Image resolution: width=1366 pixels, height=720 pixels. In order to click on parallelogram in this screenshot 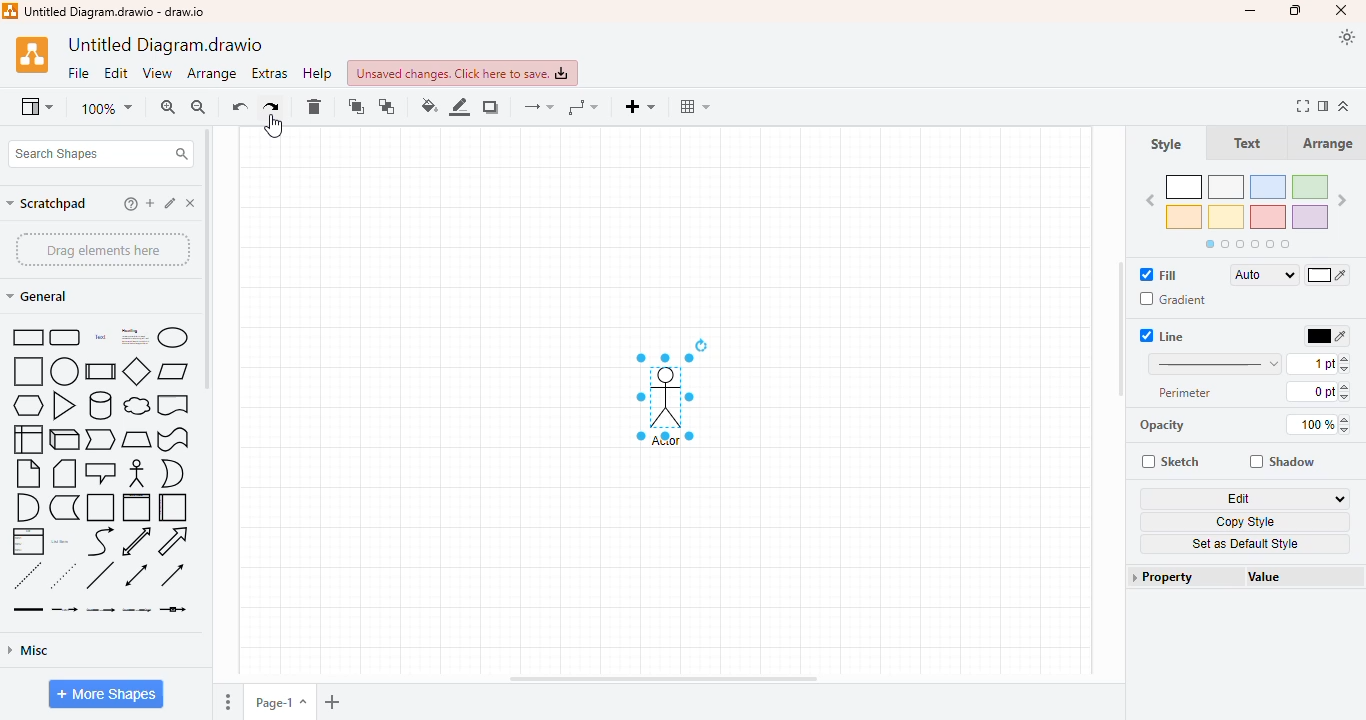, I will do `click(173, 372)`.